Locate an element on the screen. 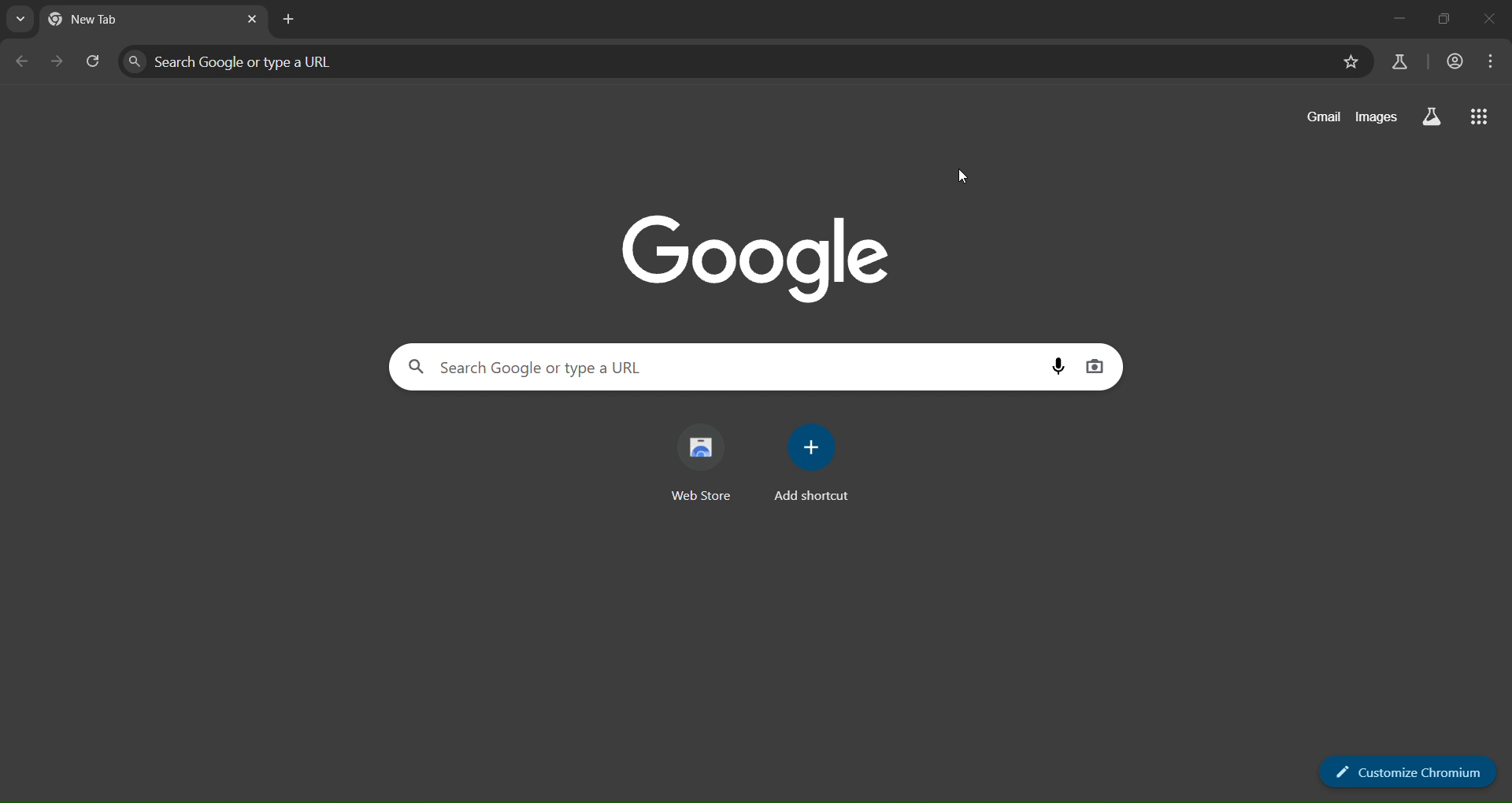  menu is located at coordinates (1485, 60).